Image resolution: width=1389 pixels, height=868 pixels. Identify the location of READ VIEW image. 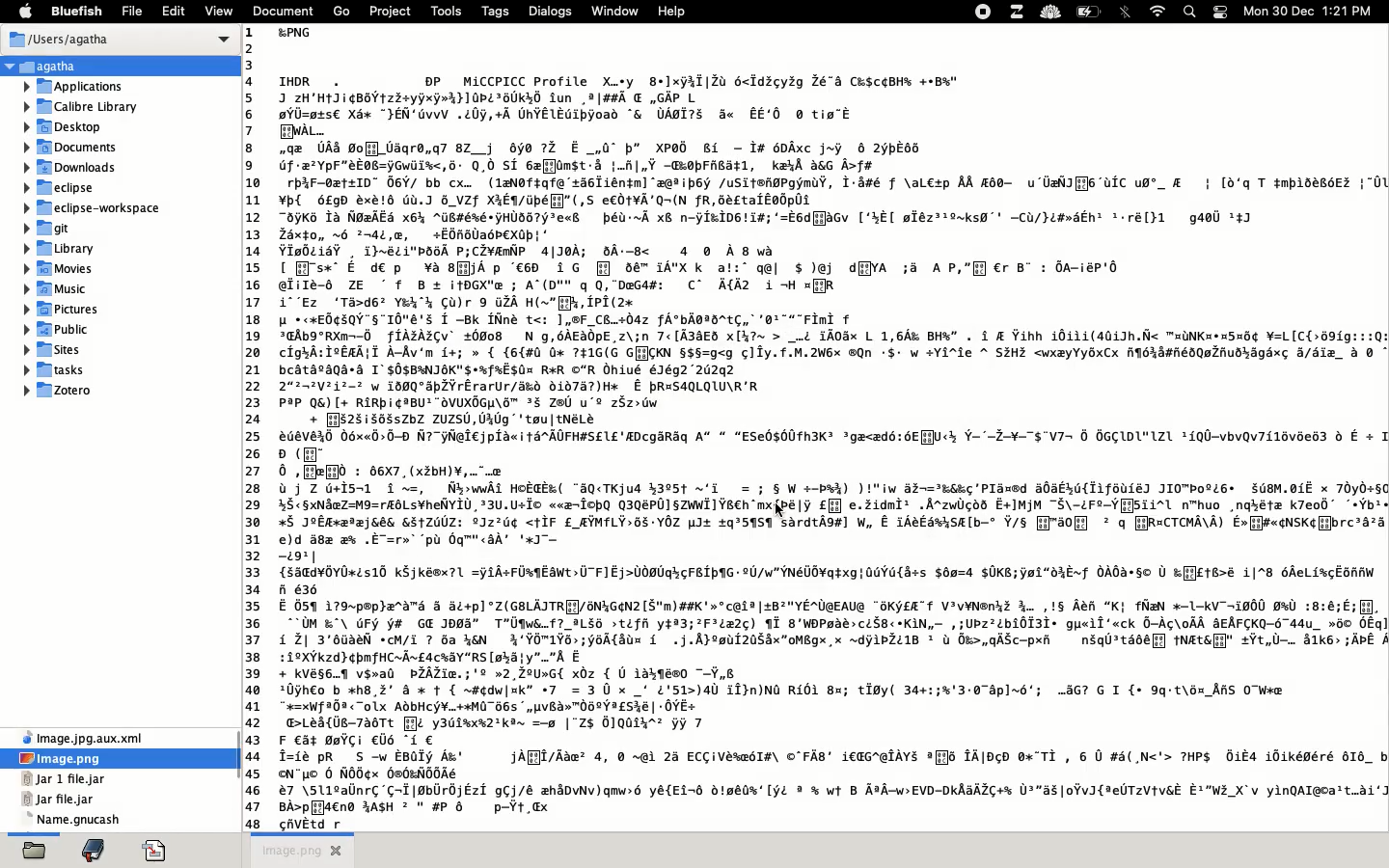
(815, 426).